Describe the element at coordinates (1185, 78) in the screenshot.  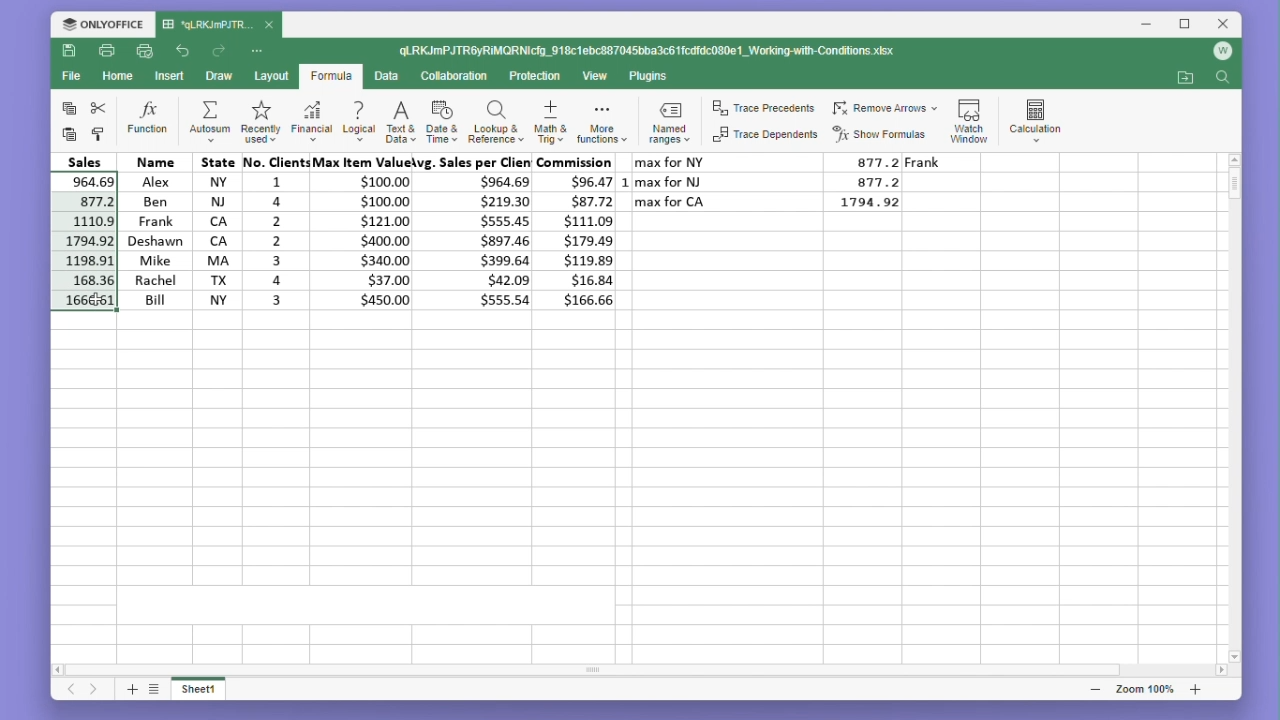
I see `Open my location` at that location.